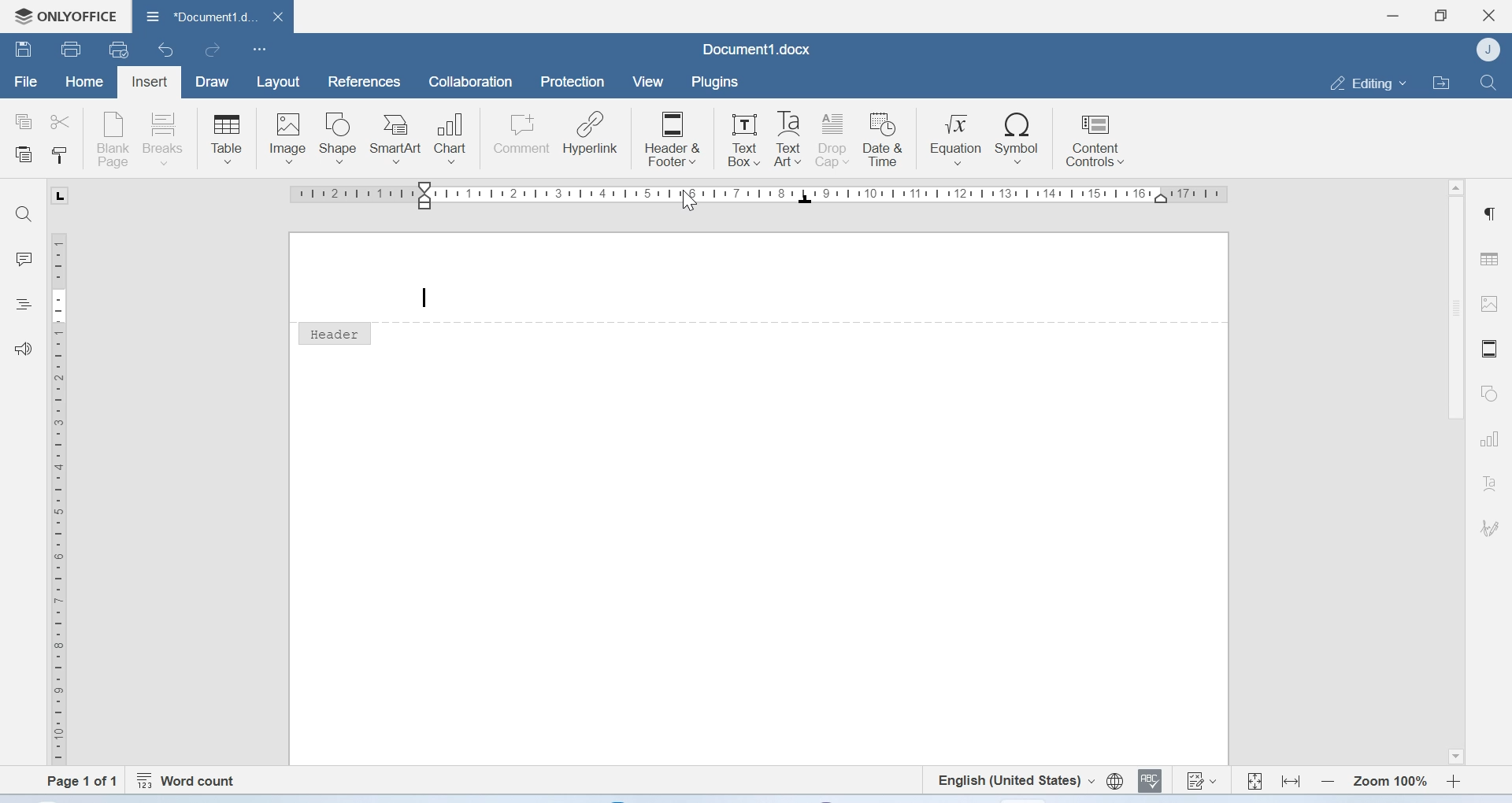 This screenshot has height=803, width=1512. Describe the element at coordinates (1440, 81) in the screenshot. I see `Open file location` at that location.